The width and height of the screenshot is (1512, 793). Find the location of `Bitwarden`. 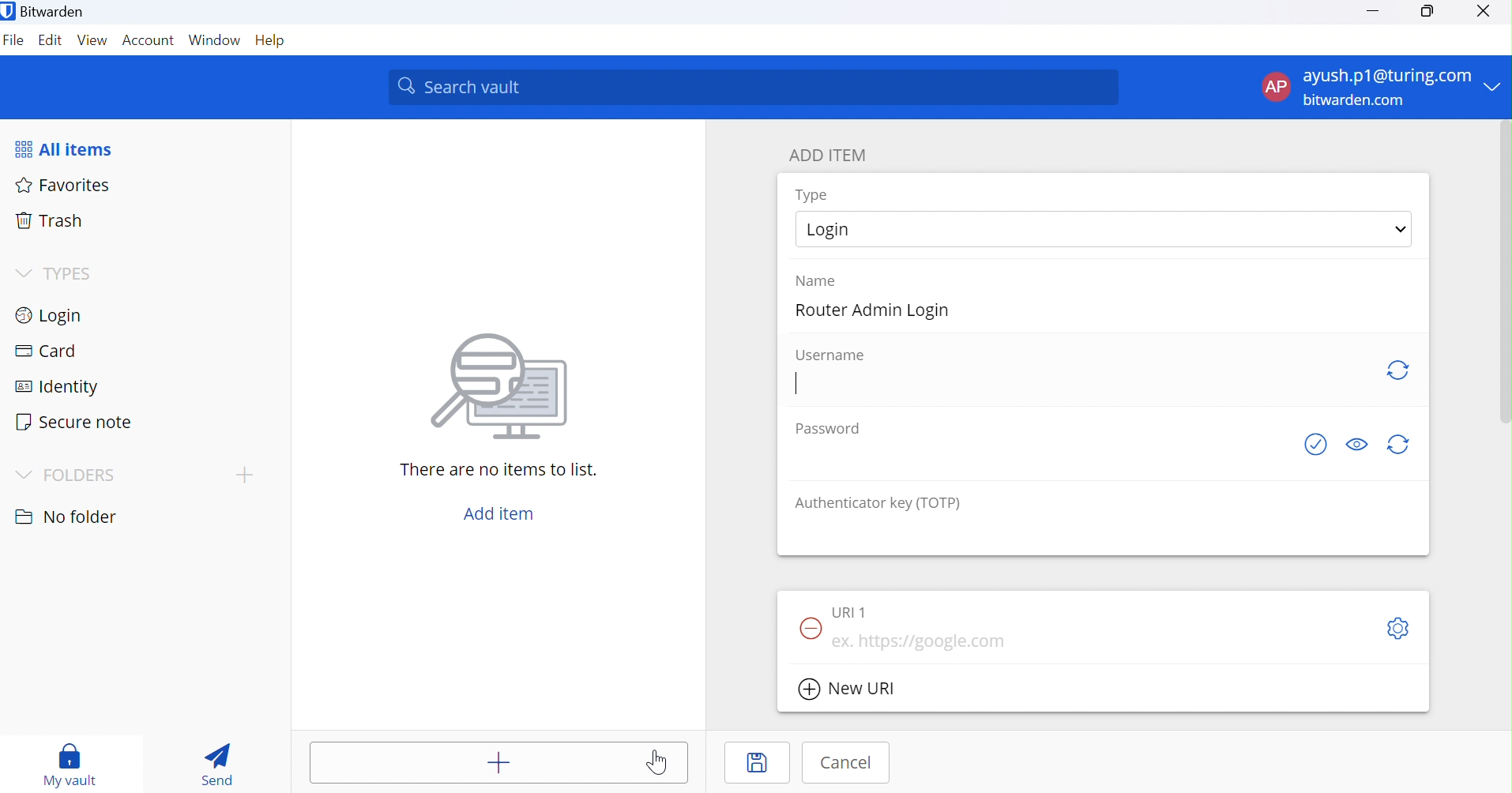

Bitwarden is located at coordinates (45, 10).